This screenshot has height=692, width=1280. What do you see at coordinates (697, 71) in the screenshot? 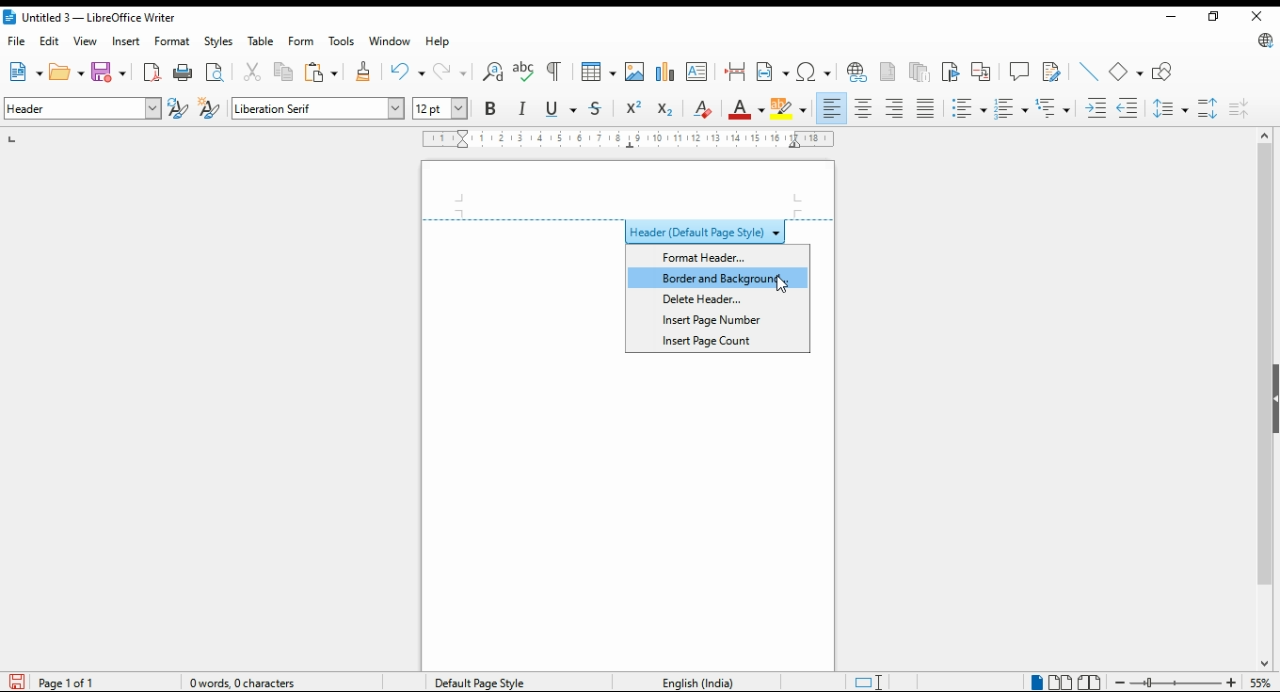
I see `insert textbox` at bounding box center [697, 71].